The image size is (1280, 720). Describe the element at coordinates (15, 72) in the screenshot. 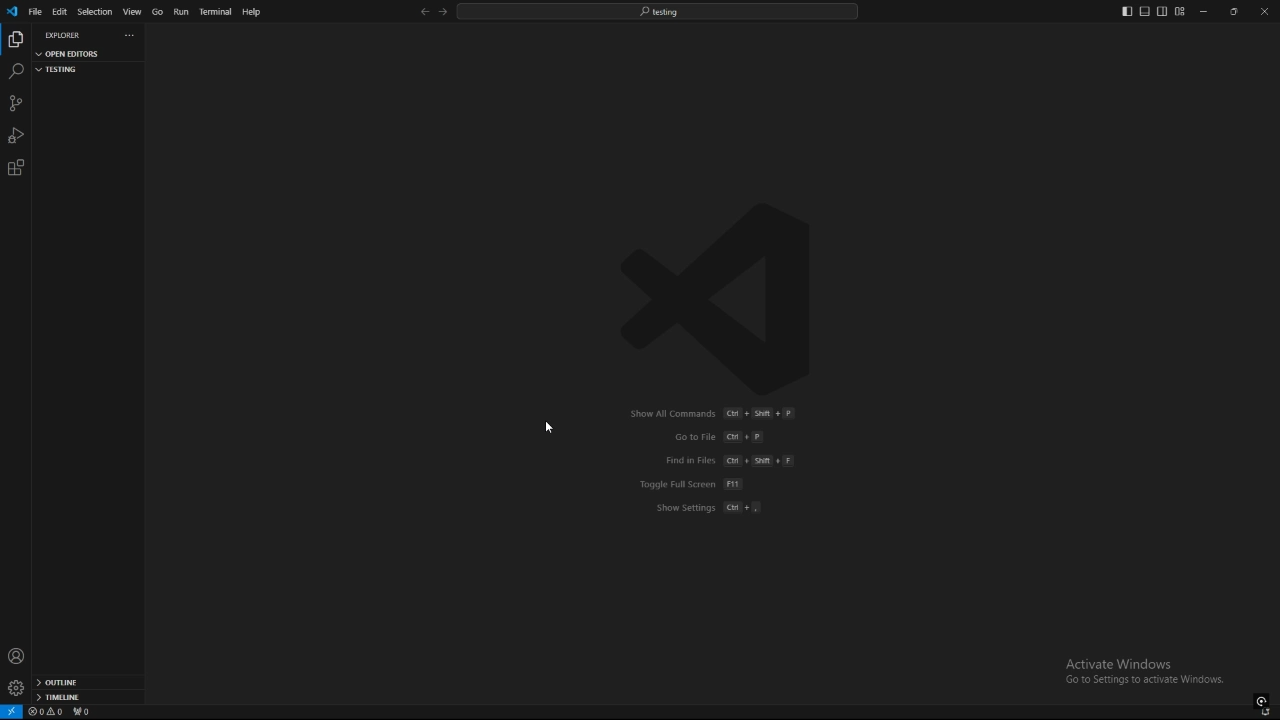

I see `search` at that location.